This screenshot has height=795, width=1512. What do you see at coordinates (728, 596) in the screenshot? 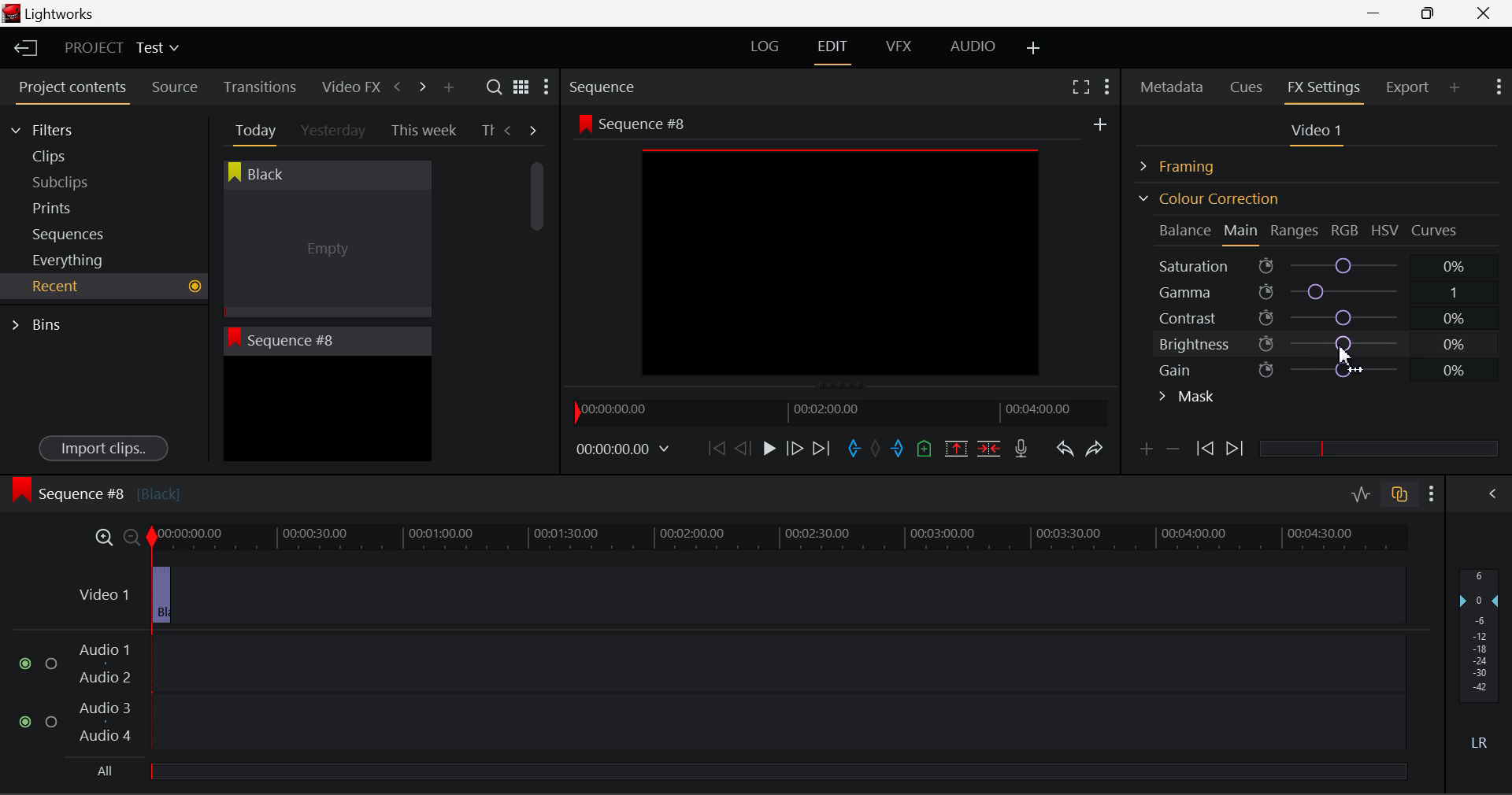
I see `Clip 2 Deleted` at bounding box center [728, 596].